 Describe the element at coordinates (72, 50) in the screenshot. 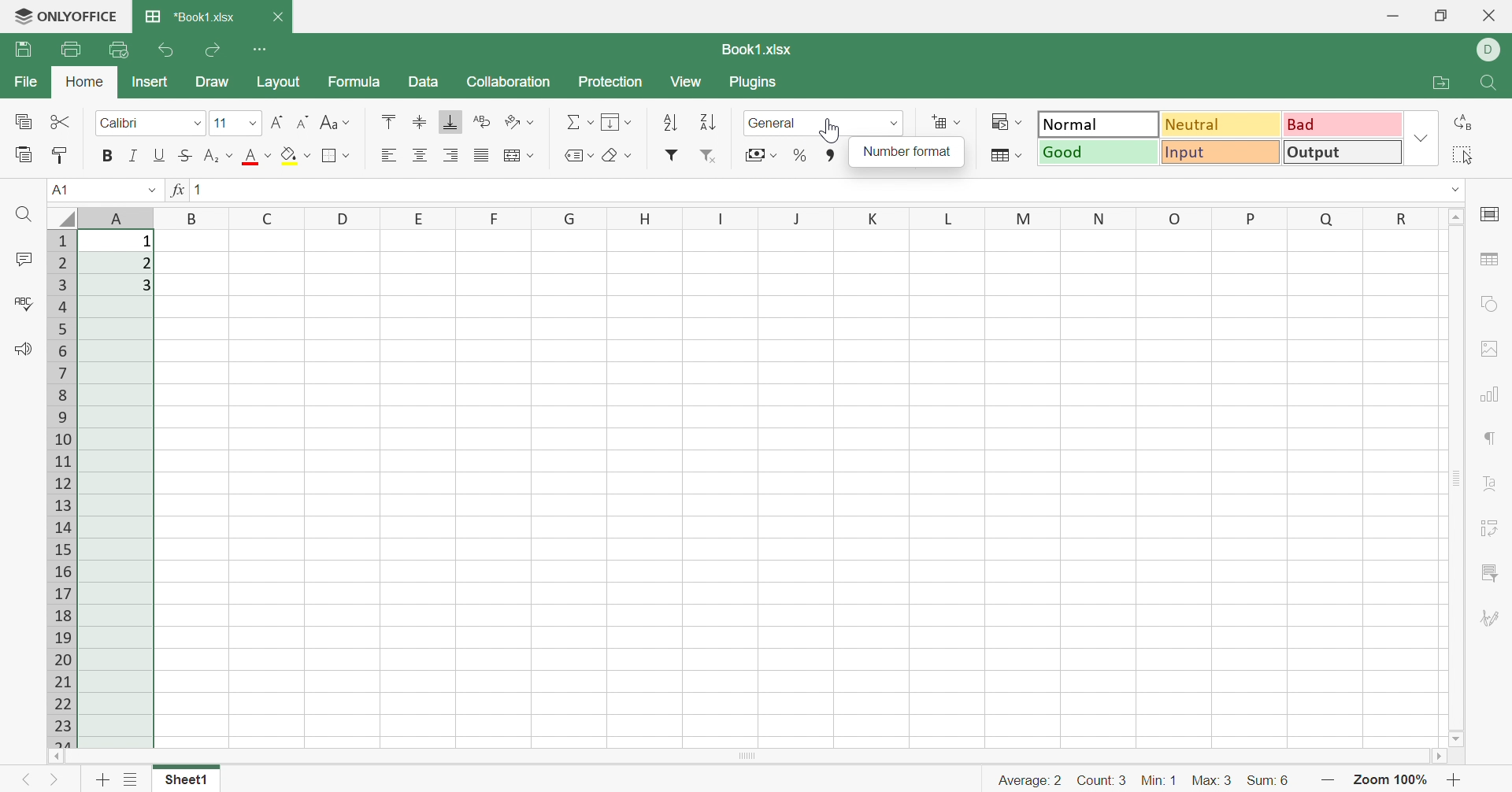

I see `Print file` at that location.